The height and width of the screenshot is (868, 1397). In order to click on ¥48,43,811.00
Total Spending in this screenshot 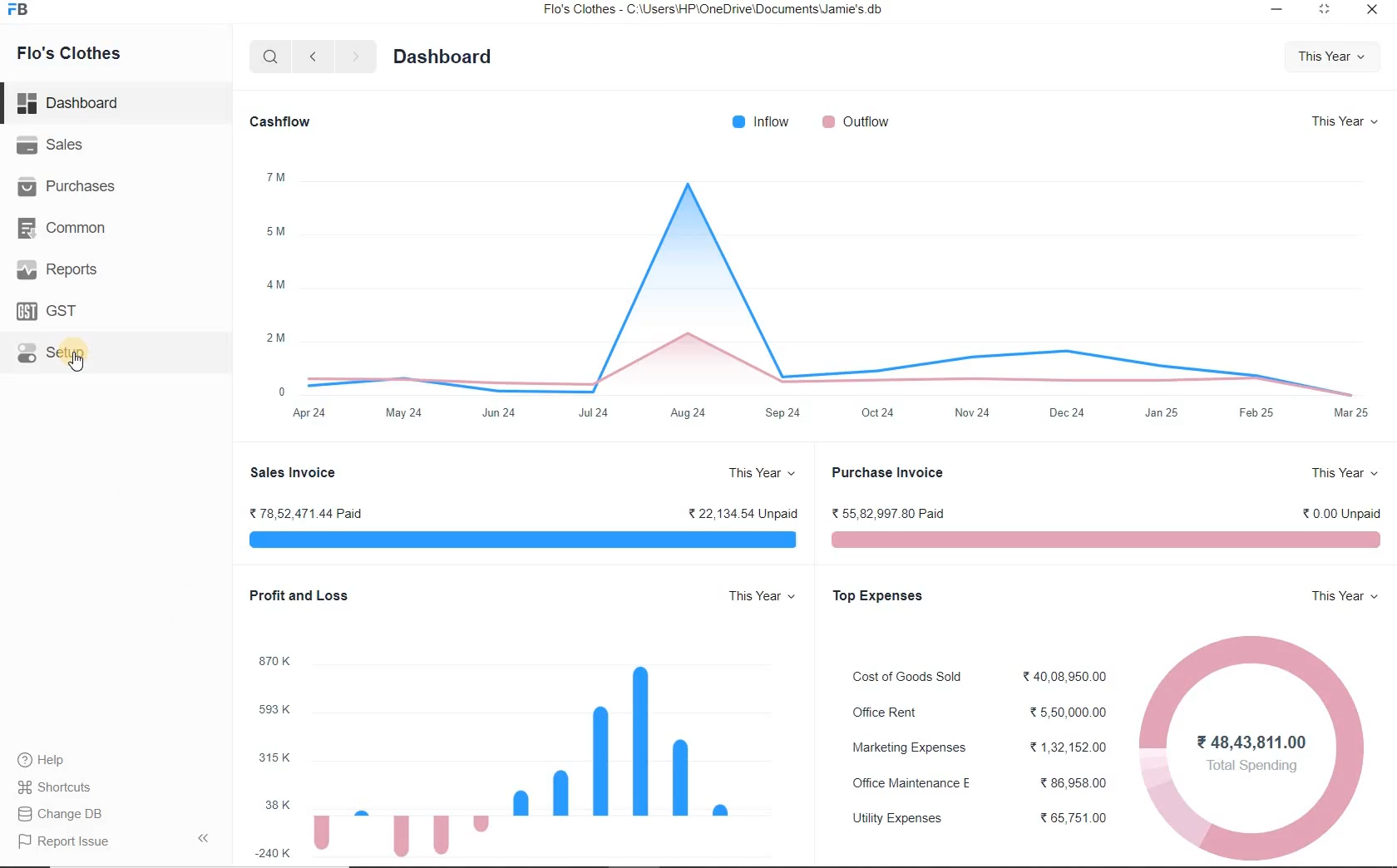, I will do `click(1252, 747)`.